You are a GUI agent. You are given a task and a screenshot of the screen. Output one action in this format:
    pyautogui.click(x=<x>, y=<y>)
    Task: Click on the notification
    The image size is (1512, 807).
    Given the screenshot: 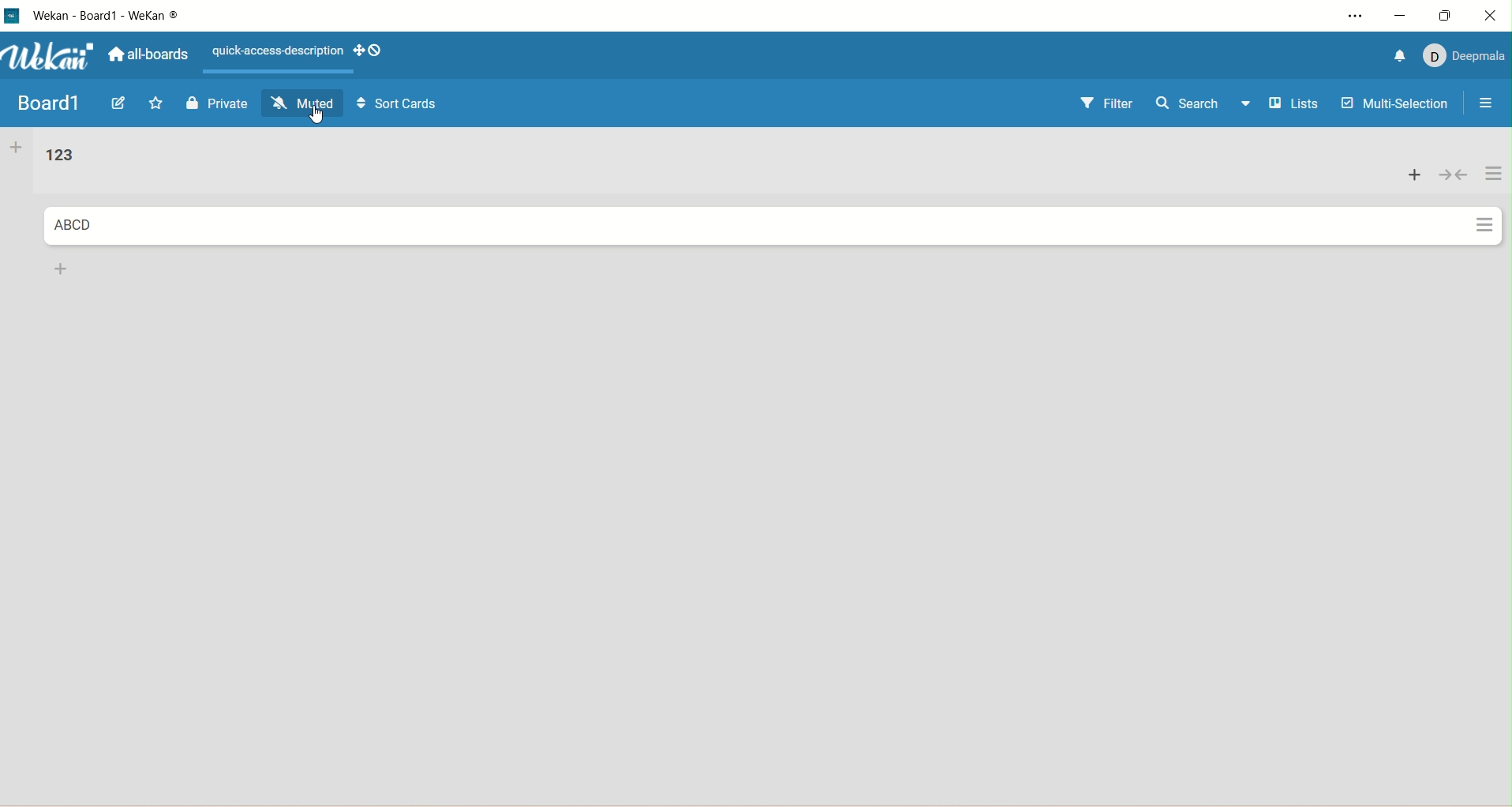 What is the action you would take?
    pyautogui.click(x=1398, y=55)
    